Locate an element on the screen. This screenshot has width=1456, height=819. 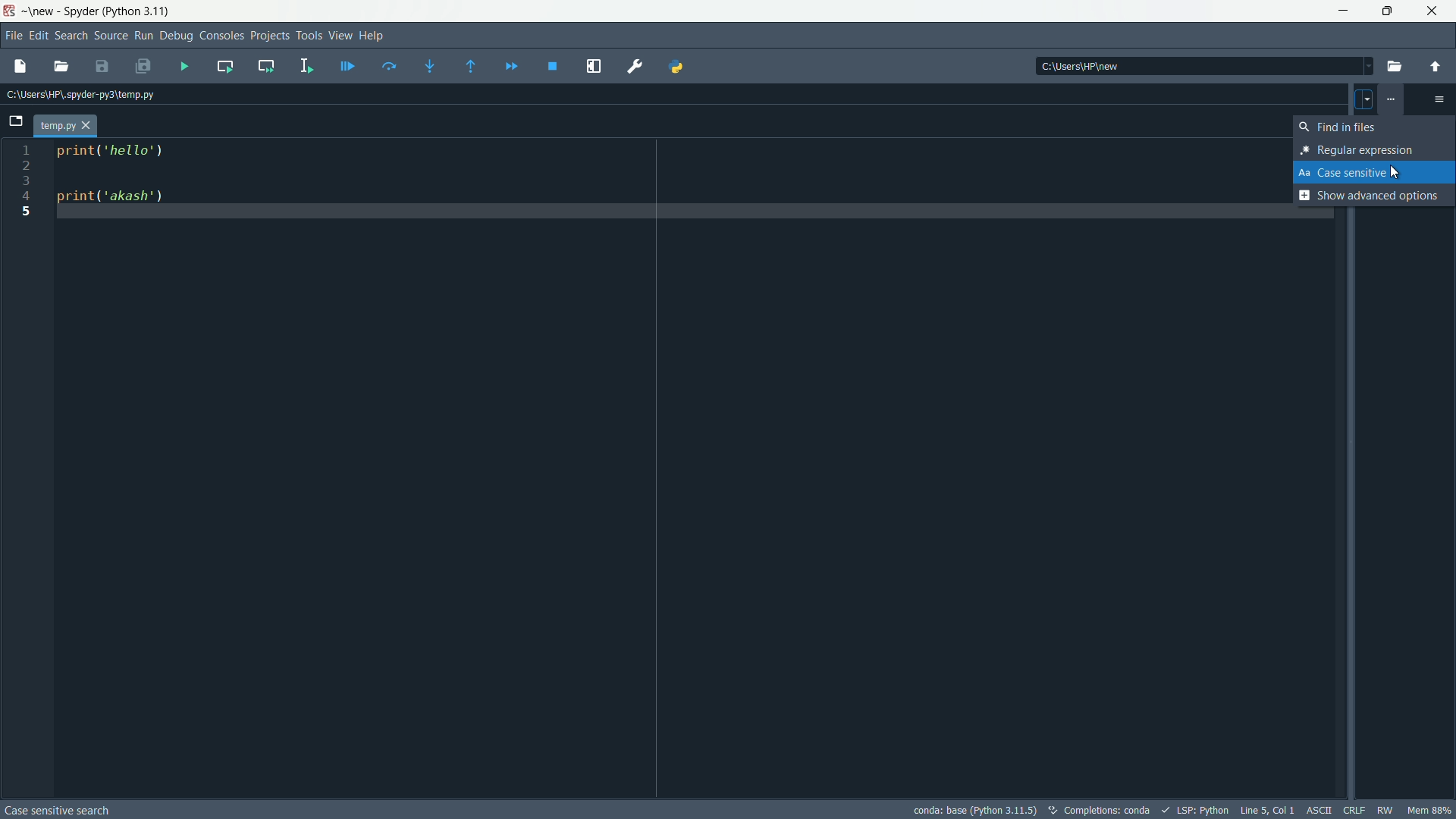
show advanced options is located at coordinates (1367, 196).